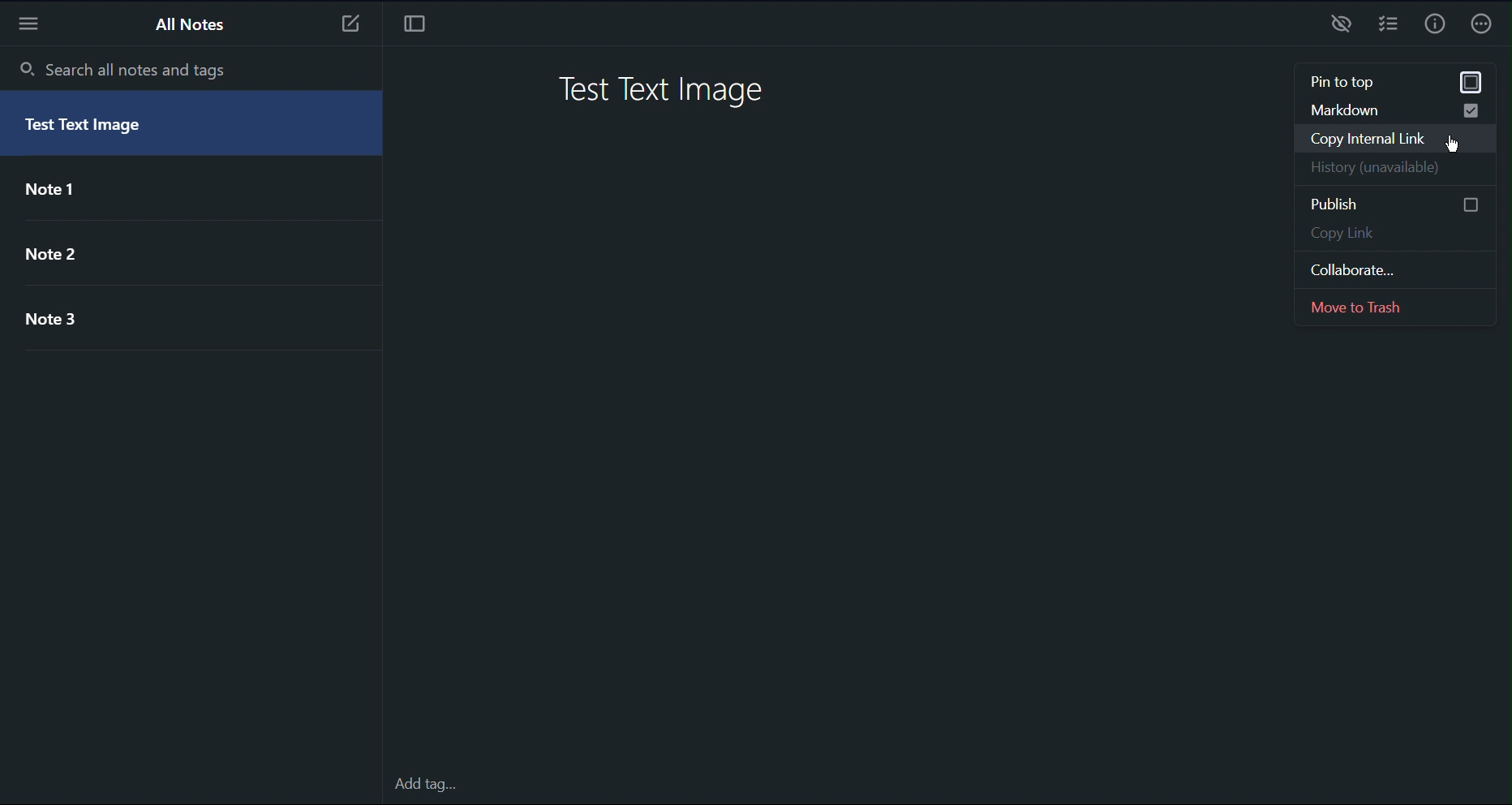 This screenshot has height=805, width=1512. Describe the element at coordinates (1393, 140) in the screenshot. I see `Copy Internal Link` at that location.